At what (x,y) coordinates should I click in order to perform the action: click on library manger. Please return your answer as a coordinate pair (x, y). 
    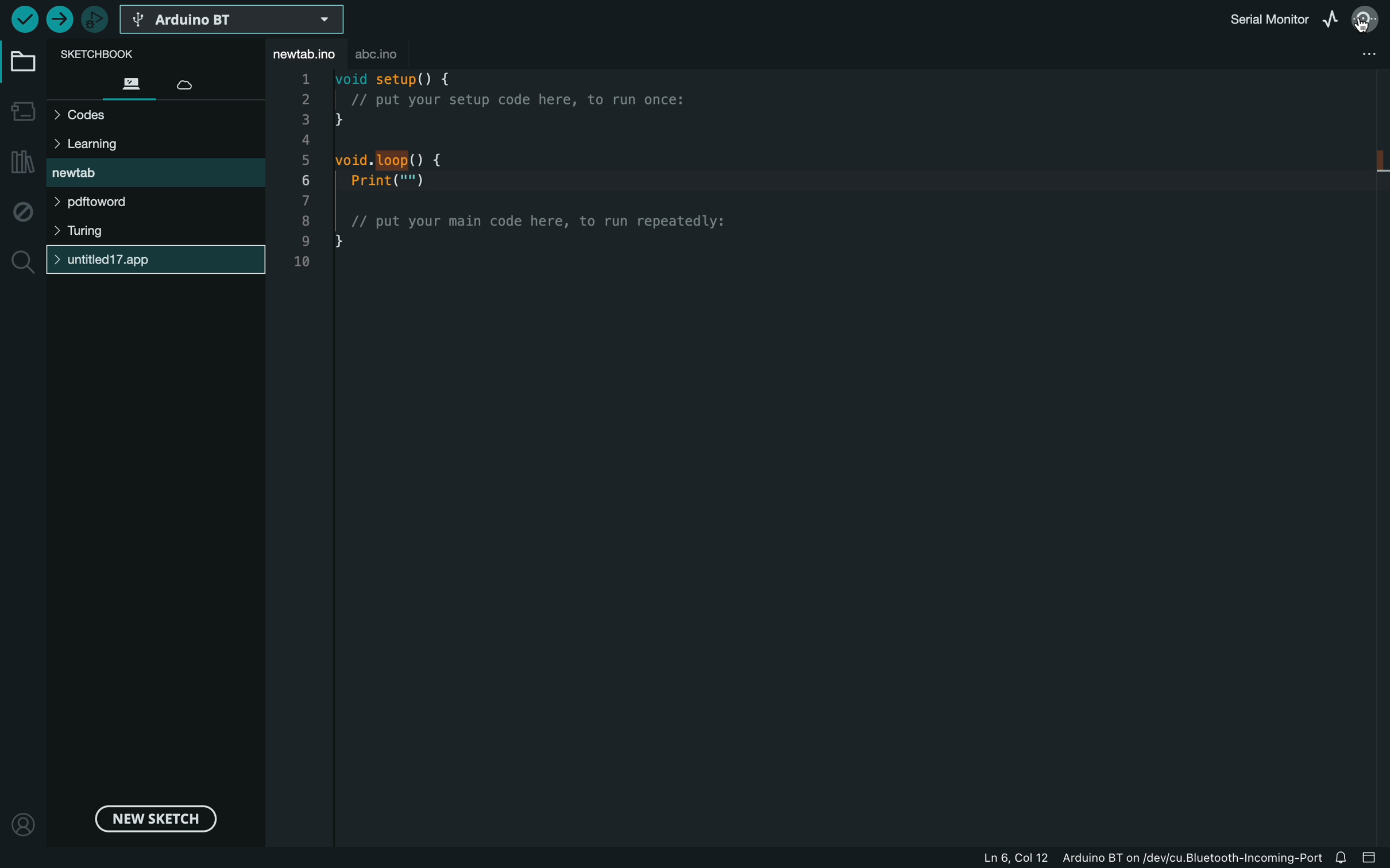
    Looking at the image, I should click on (20, 162).